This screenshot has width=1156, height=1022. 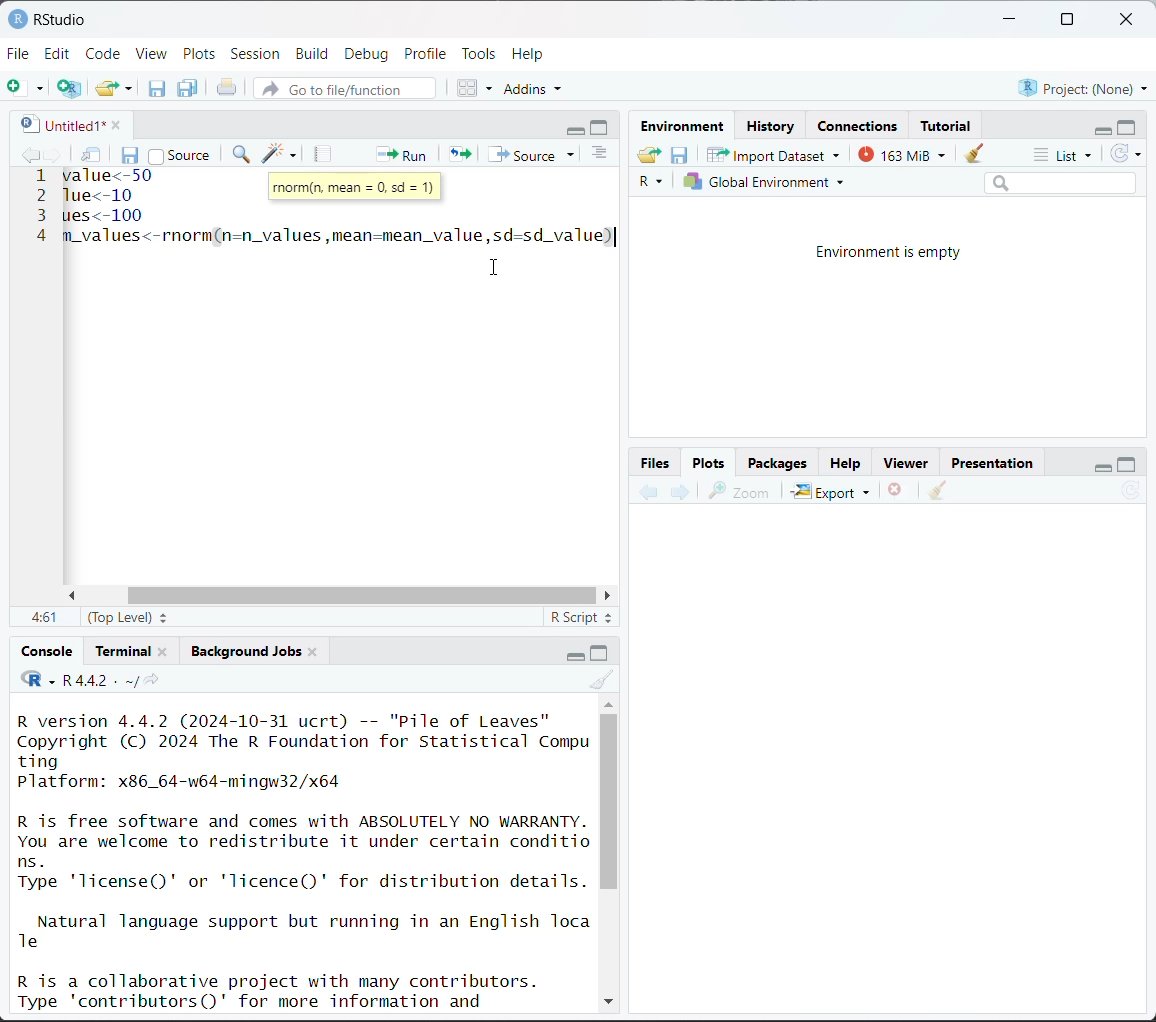 I want to click on Debug, so click(x=366, y=54).